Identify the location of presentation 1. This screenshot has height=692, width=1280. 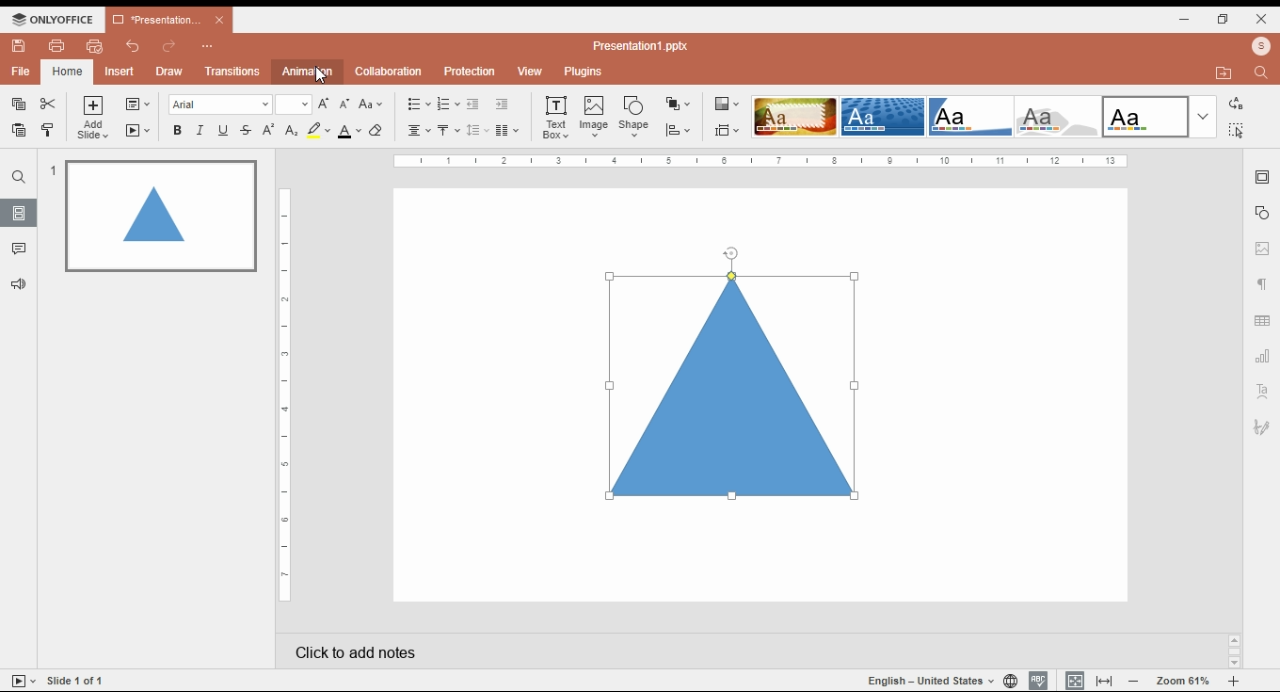
(167, 20).